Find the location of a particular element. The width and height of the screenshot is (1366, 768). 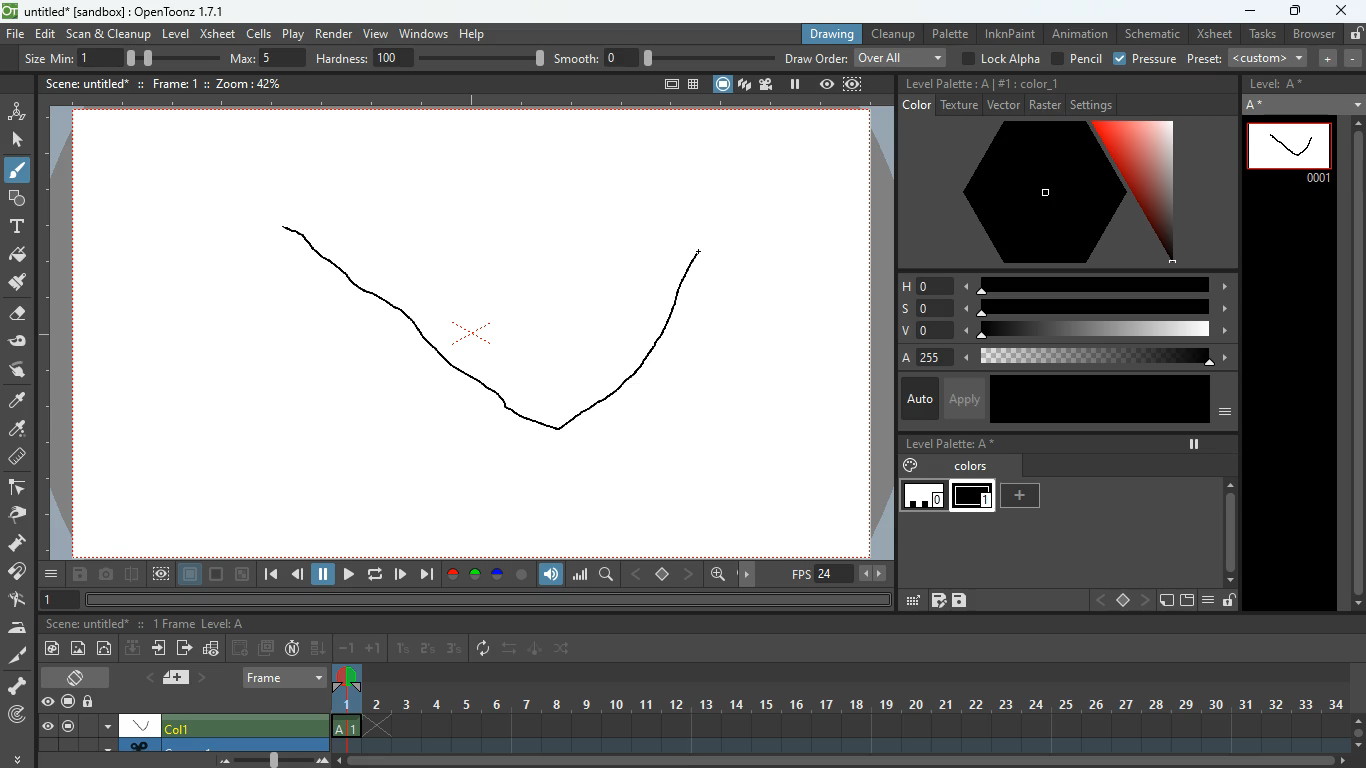

frames is located at coordinates (853, 710).